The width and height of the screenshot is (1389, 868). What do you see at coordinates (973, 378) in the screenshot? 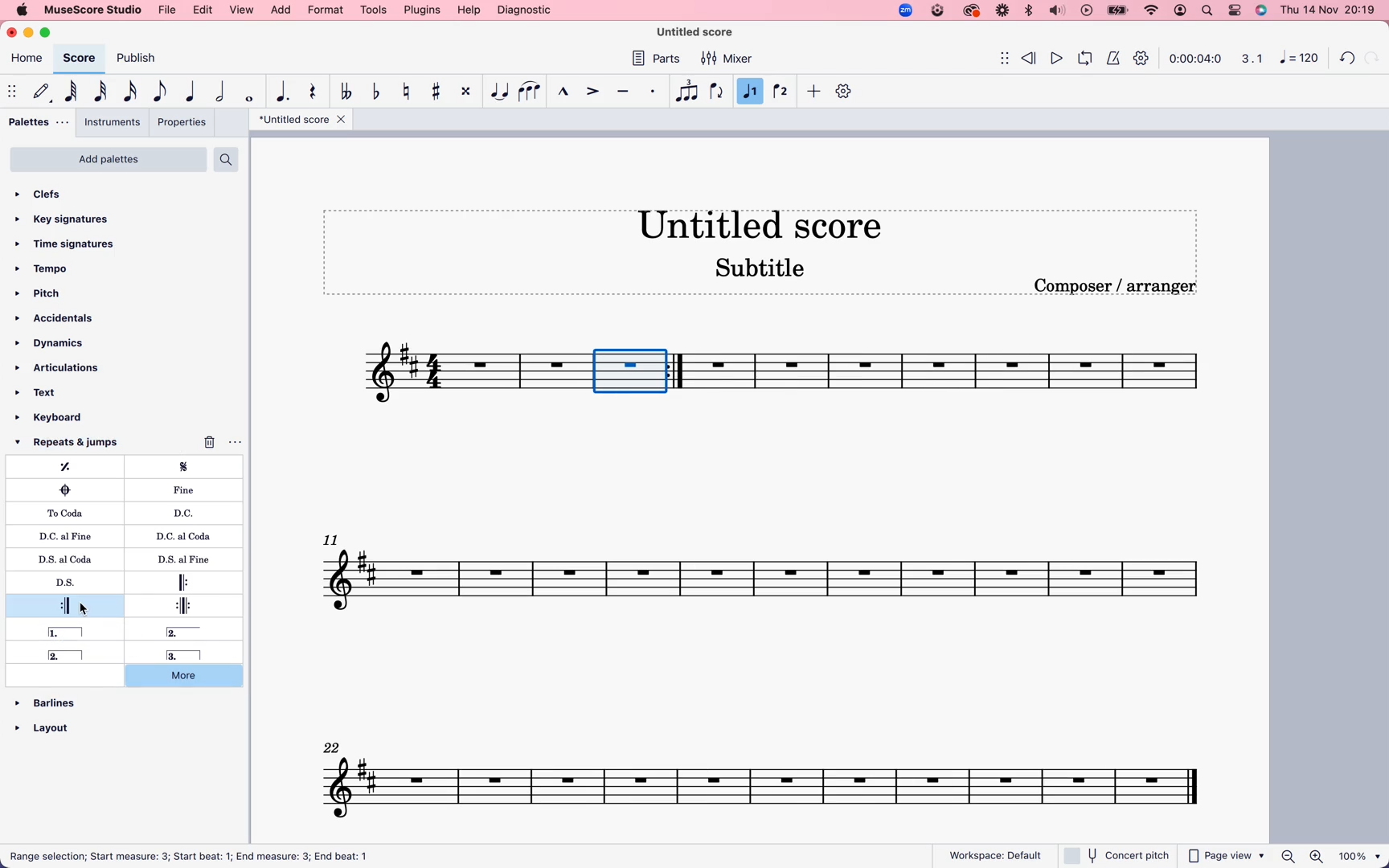
I see `score` at bounding box center [973, 378].